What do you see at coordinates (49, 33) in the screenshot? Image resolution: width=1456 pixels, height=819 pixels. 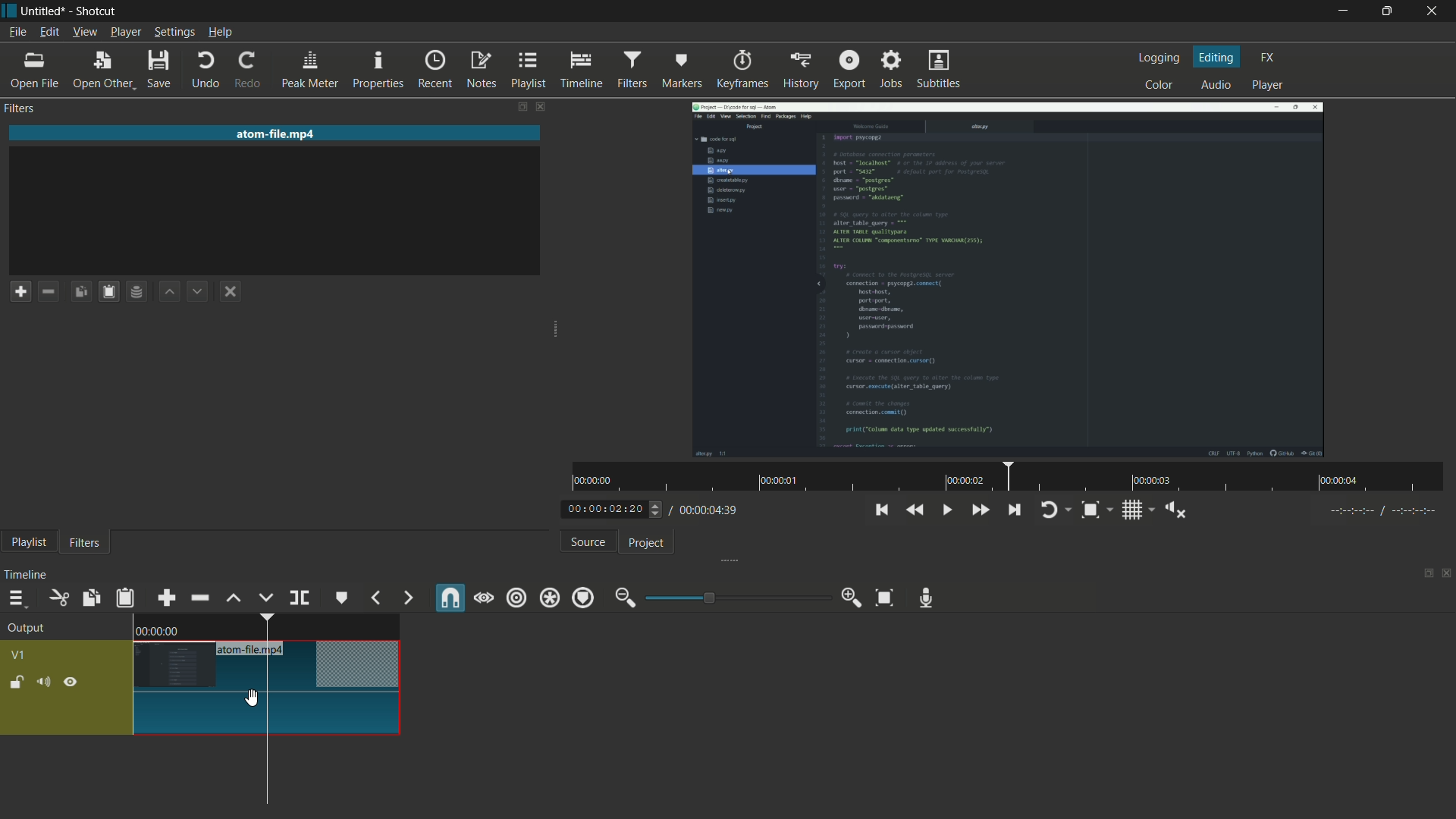 I see `edit` at bounding box center [49, 33].